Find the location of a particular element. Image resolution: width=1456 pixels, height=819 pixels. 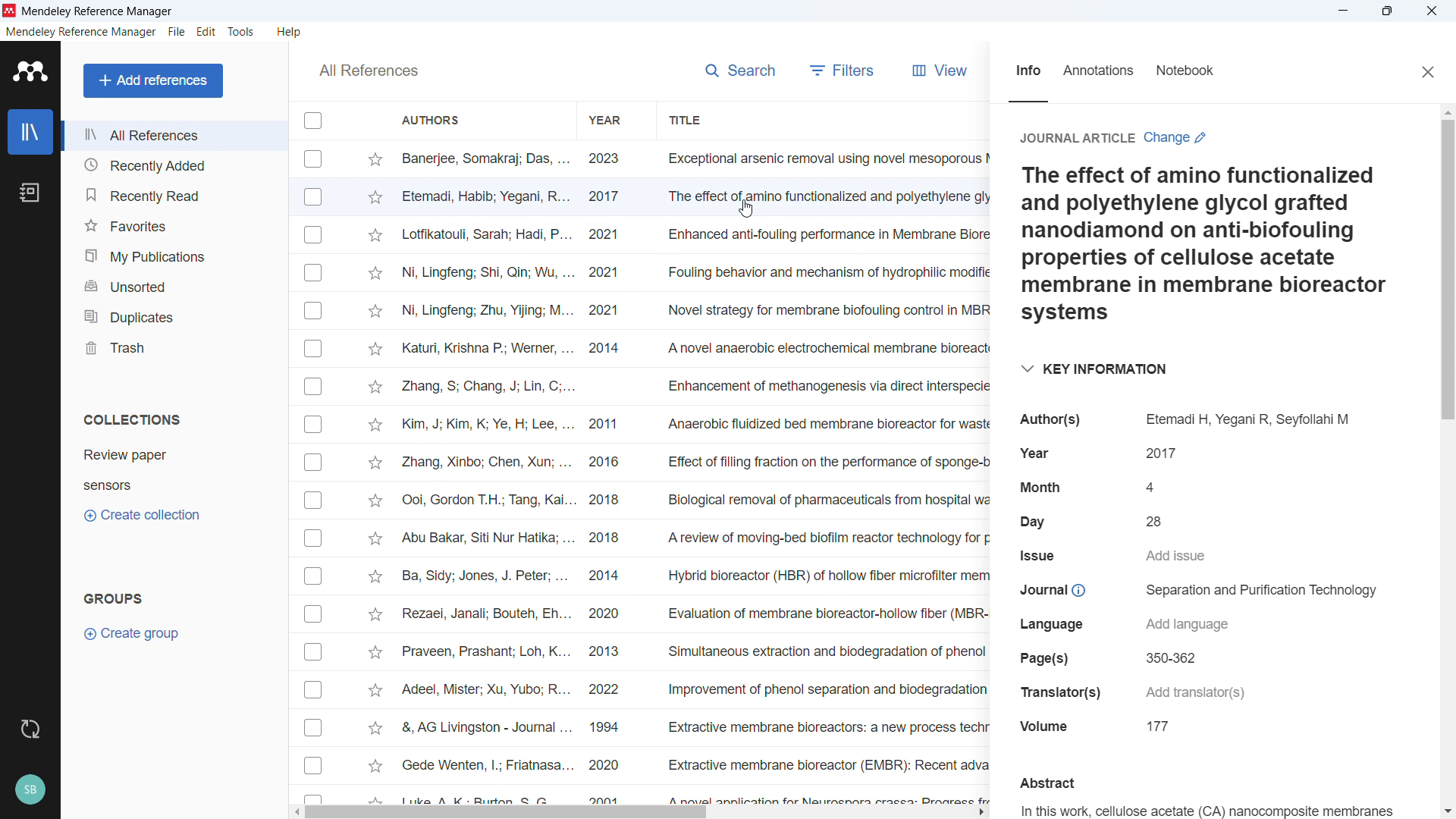

Vertical scroll bar  is located at coordinates (1445, 270).